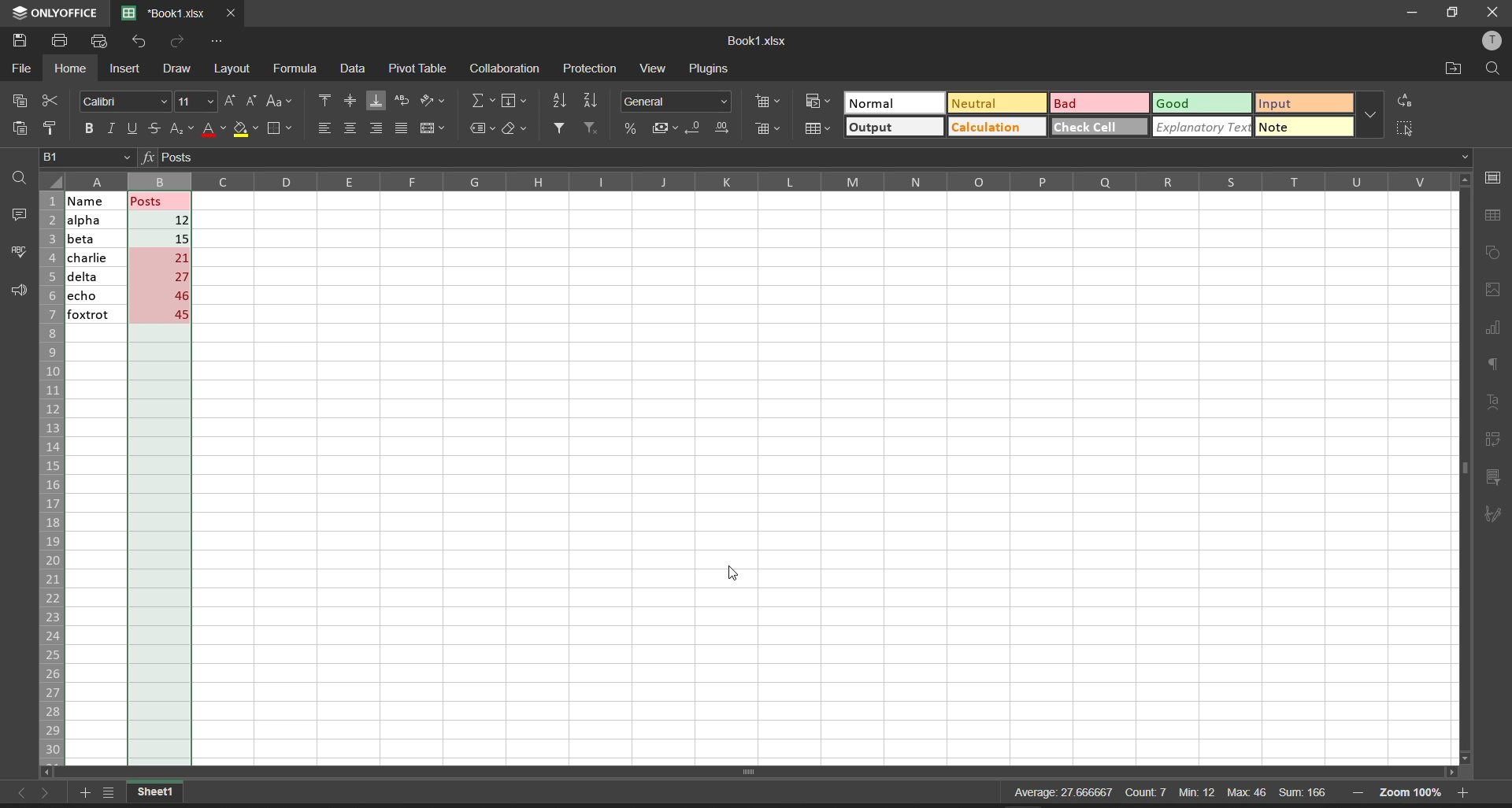  What do you see at coordinates (235, 70) in the screenshot?
I see `layout` at bounding box center [235, 70].